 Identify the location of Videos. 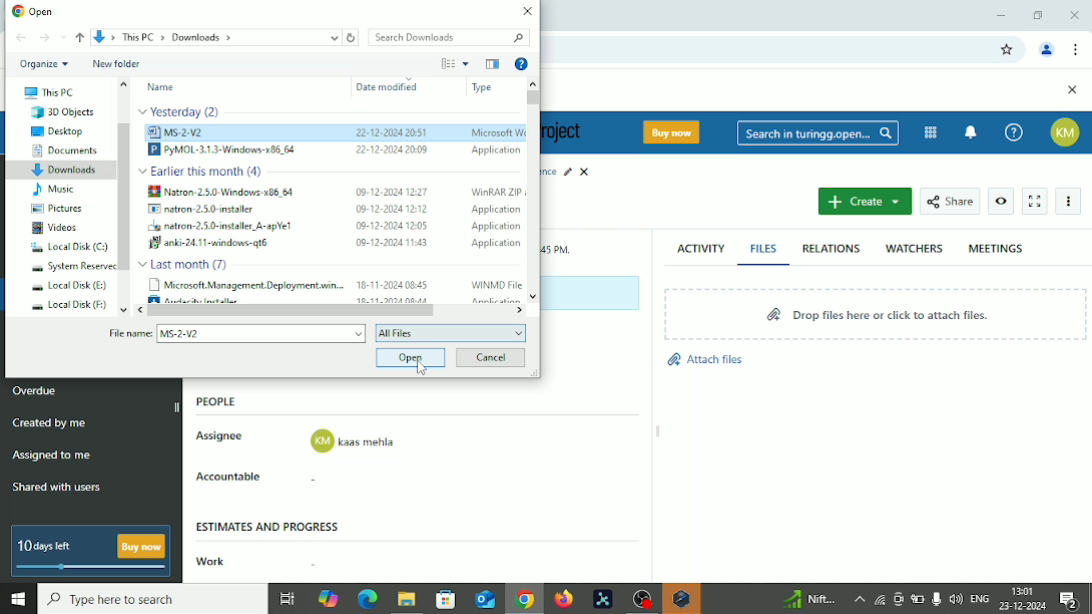
(55, 228).